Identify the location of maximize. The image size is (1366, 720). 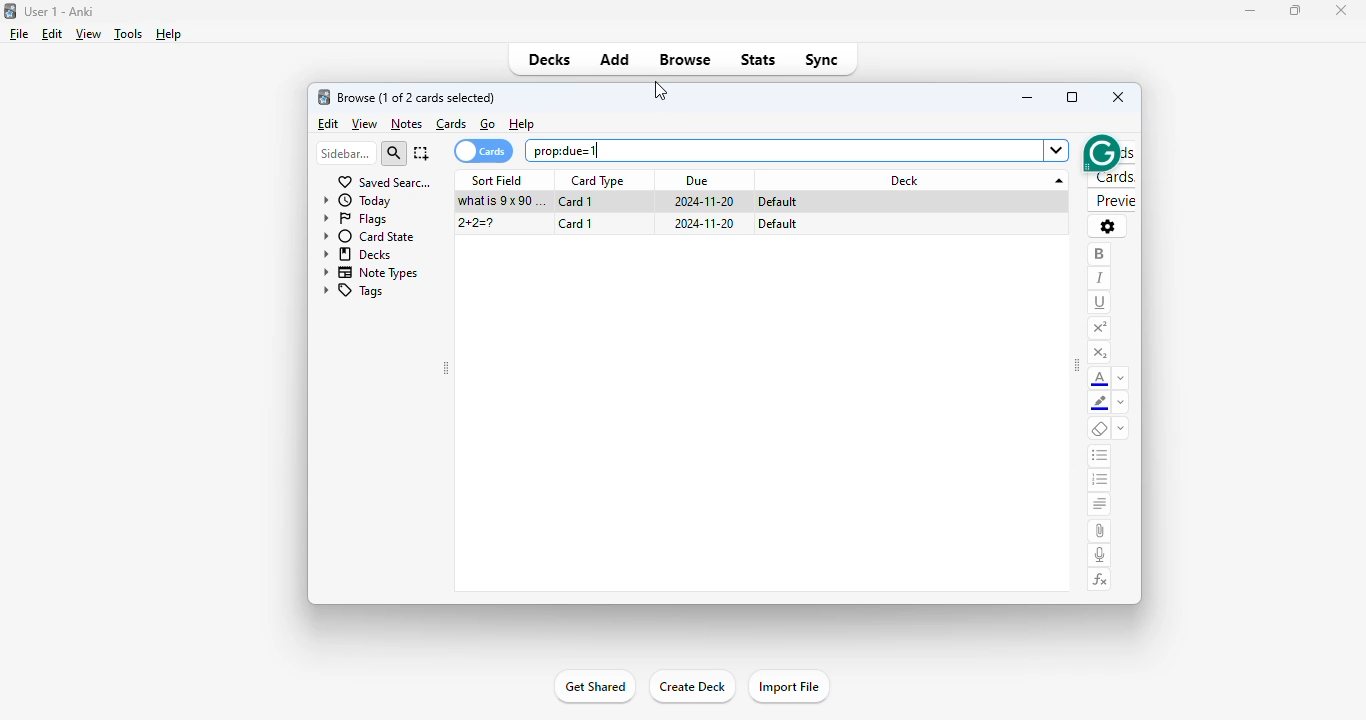
(1293, 9).